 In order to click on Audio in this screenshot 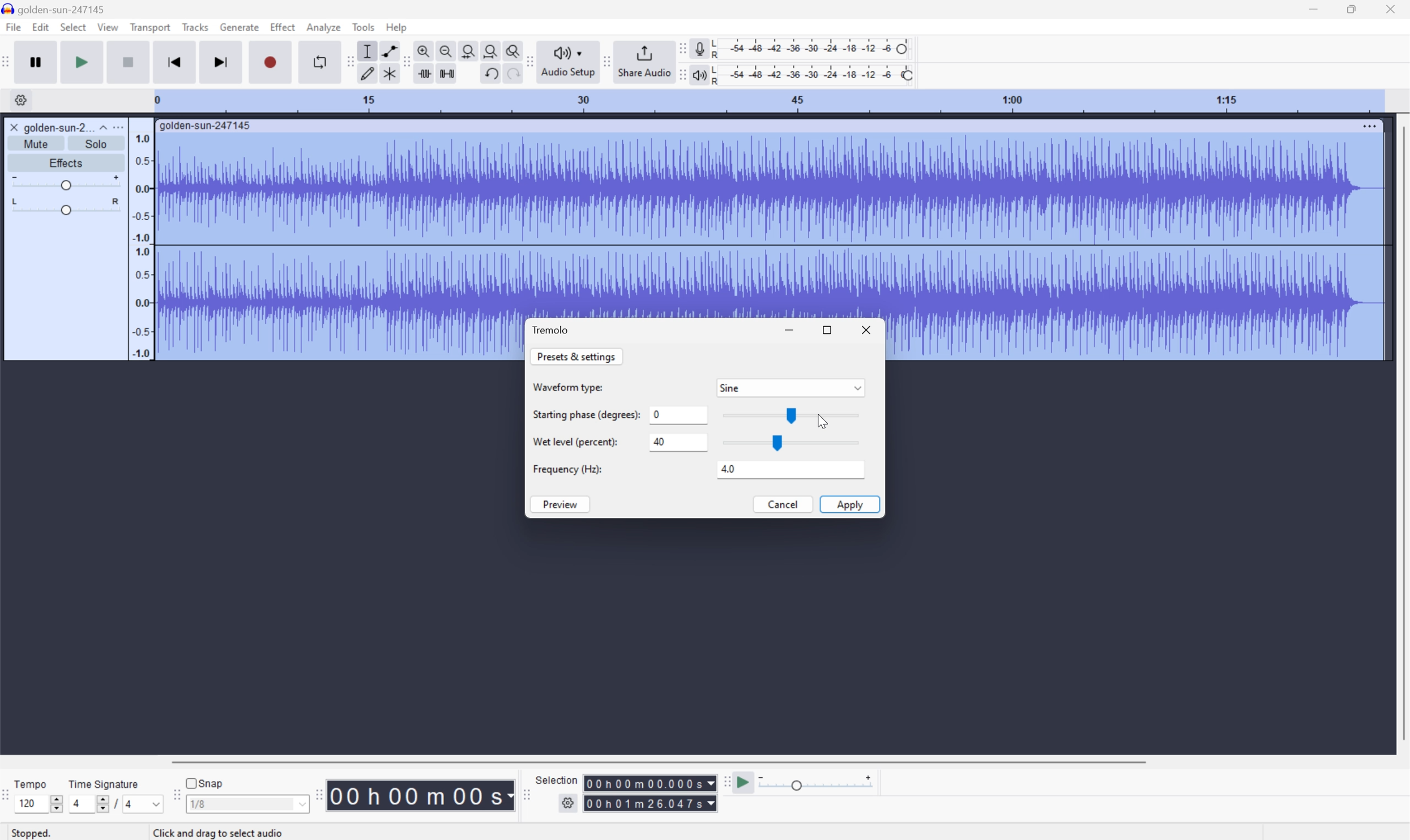, I will do `click(770, 226)`.